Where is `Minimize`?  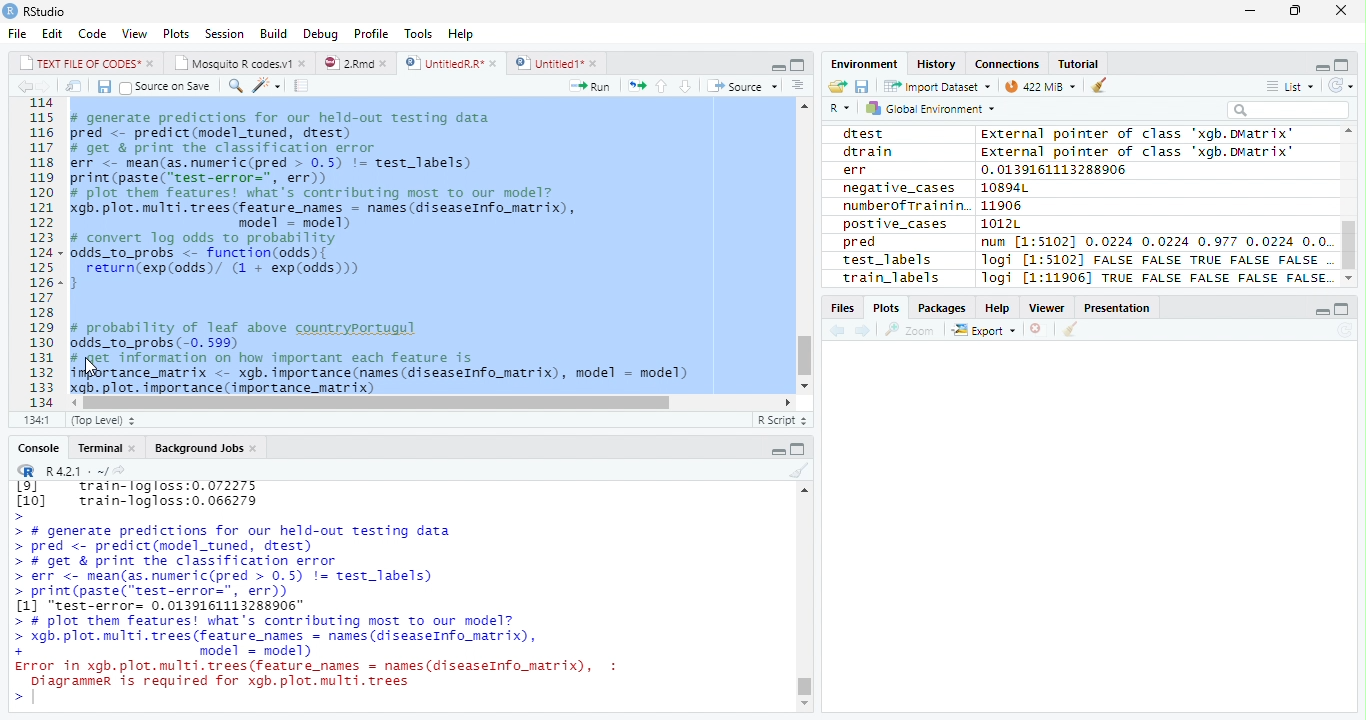 Minimize is located at coordinates (774, 65).